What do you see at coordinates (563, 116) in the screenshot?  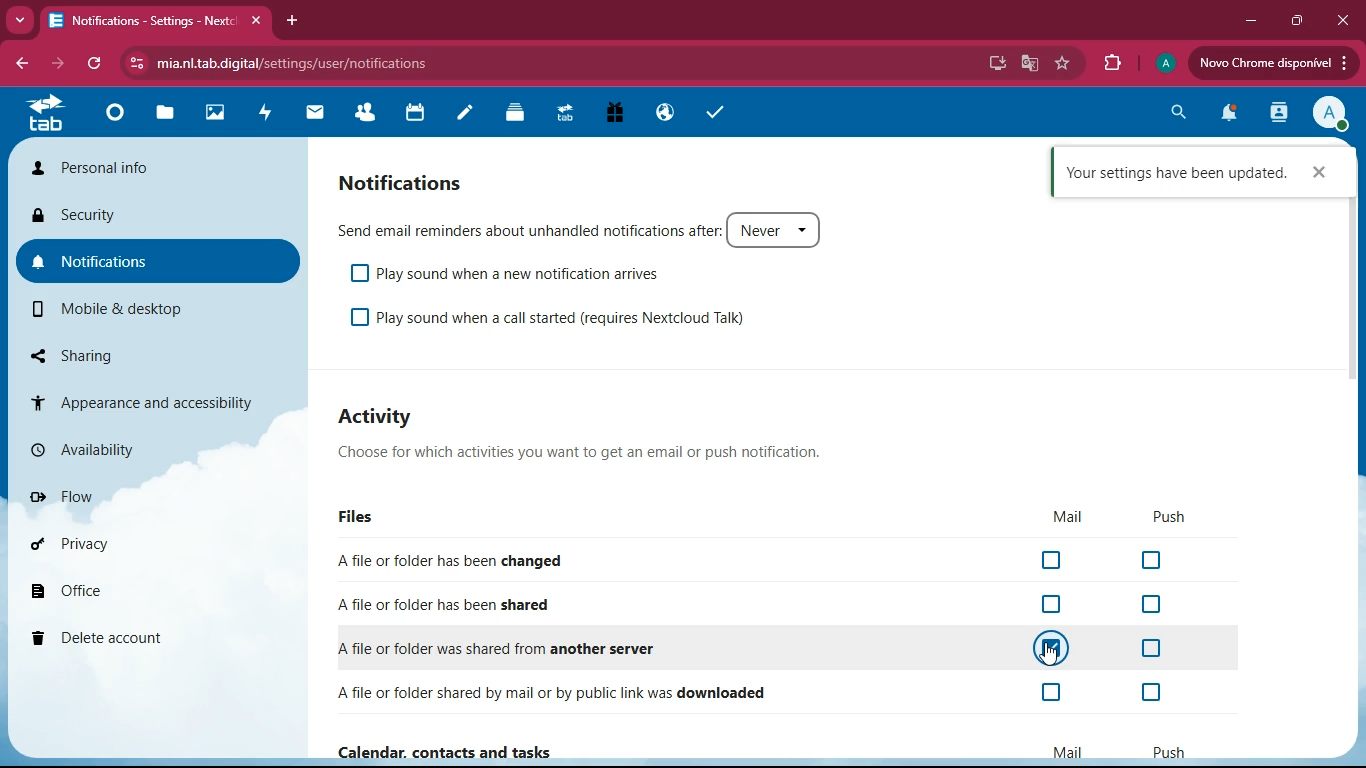 I see `tab` at bounding box center [563, 116].